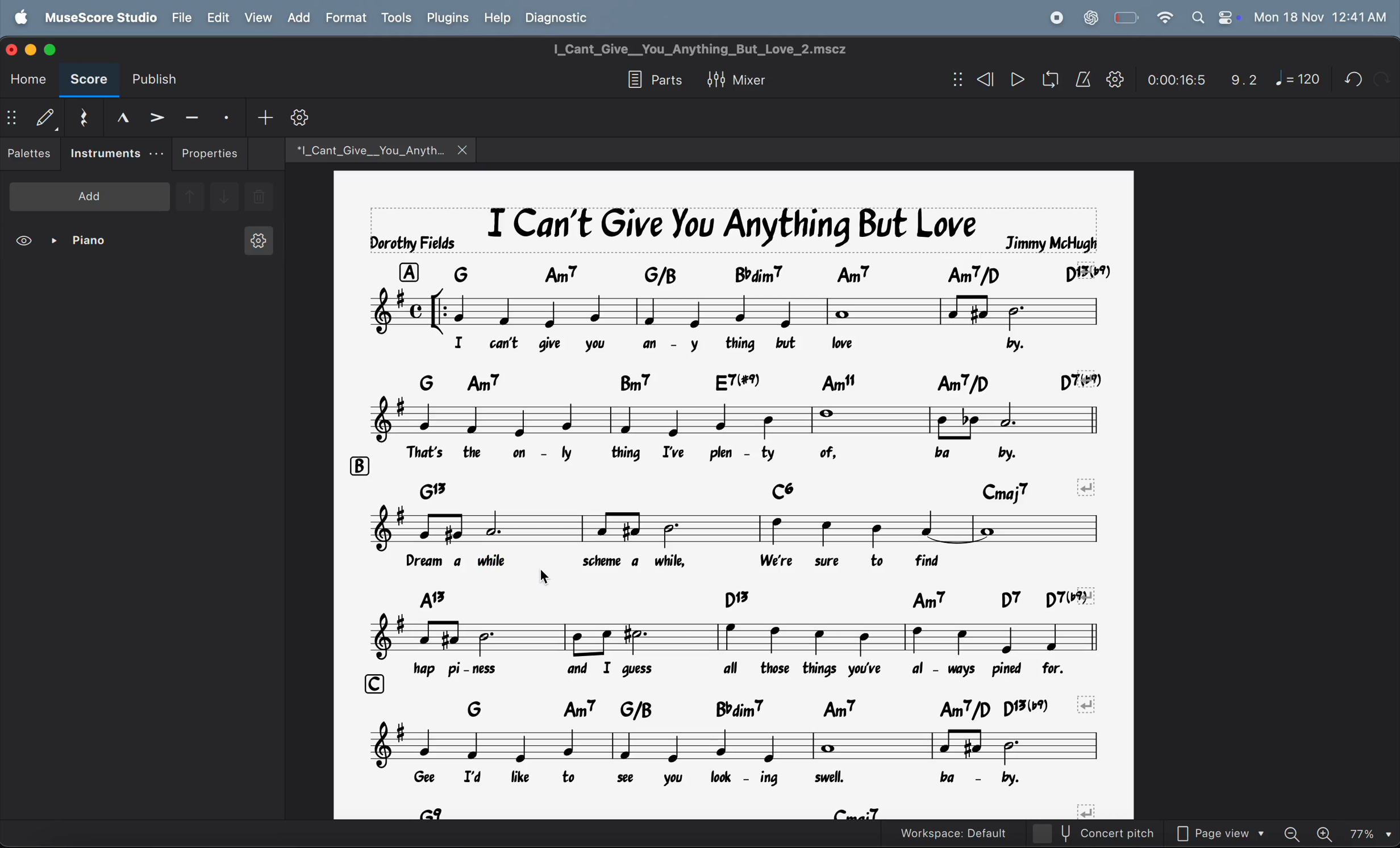 This screenshot has width=1400, height=848. I want to click on notes, so click(731, 746).